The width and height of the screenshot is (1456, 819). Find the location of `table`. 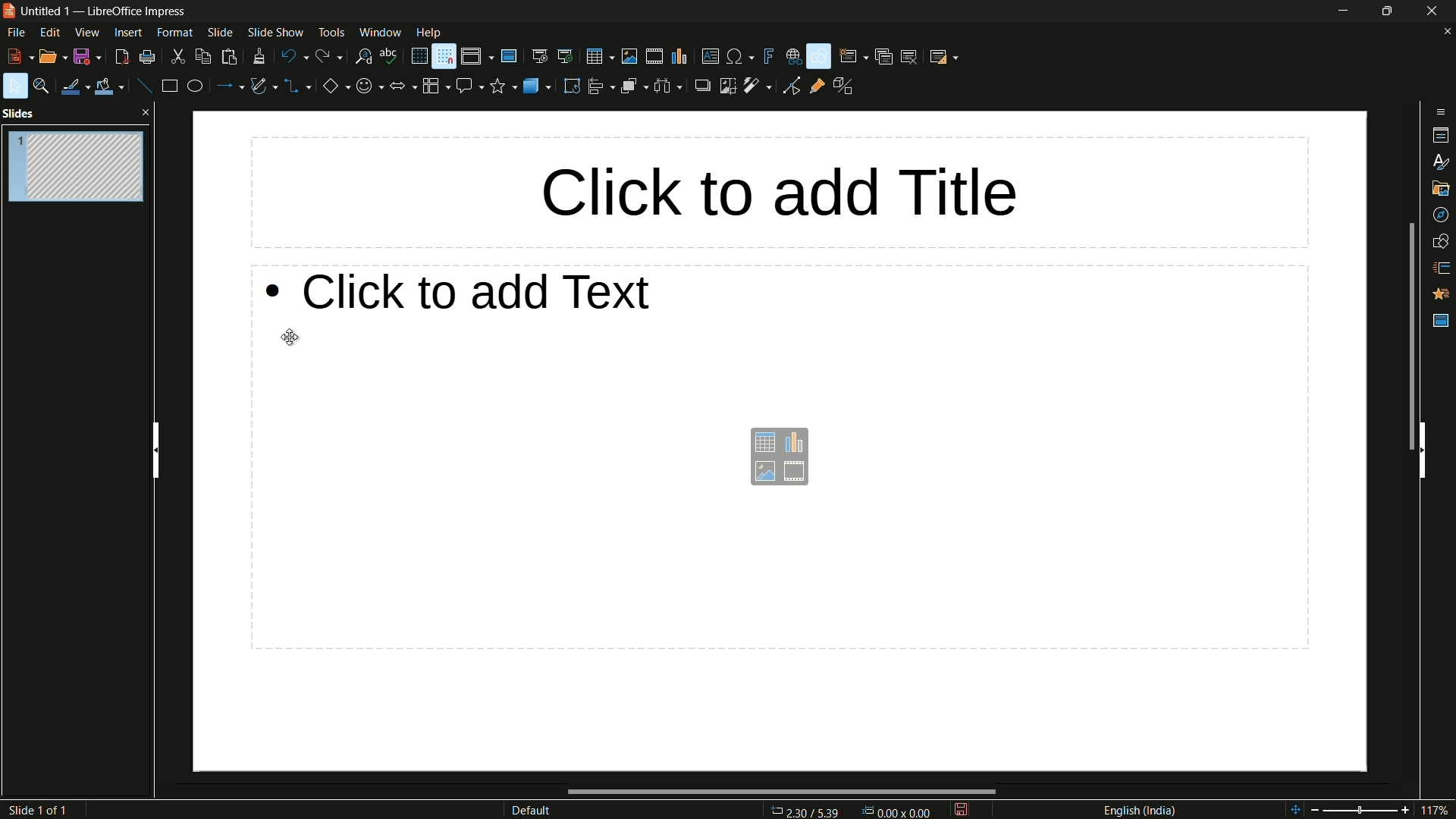

table is located at coordinates (601, 56).